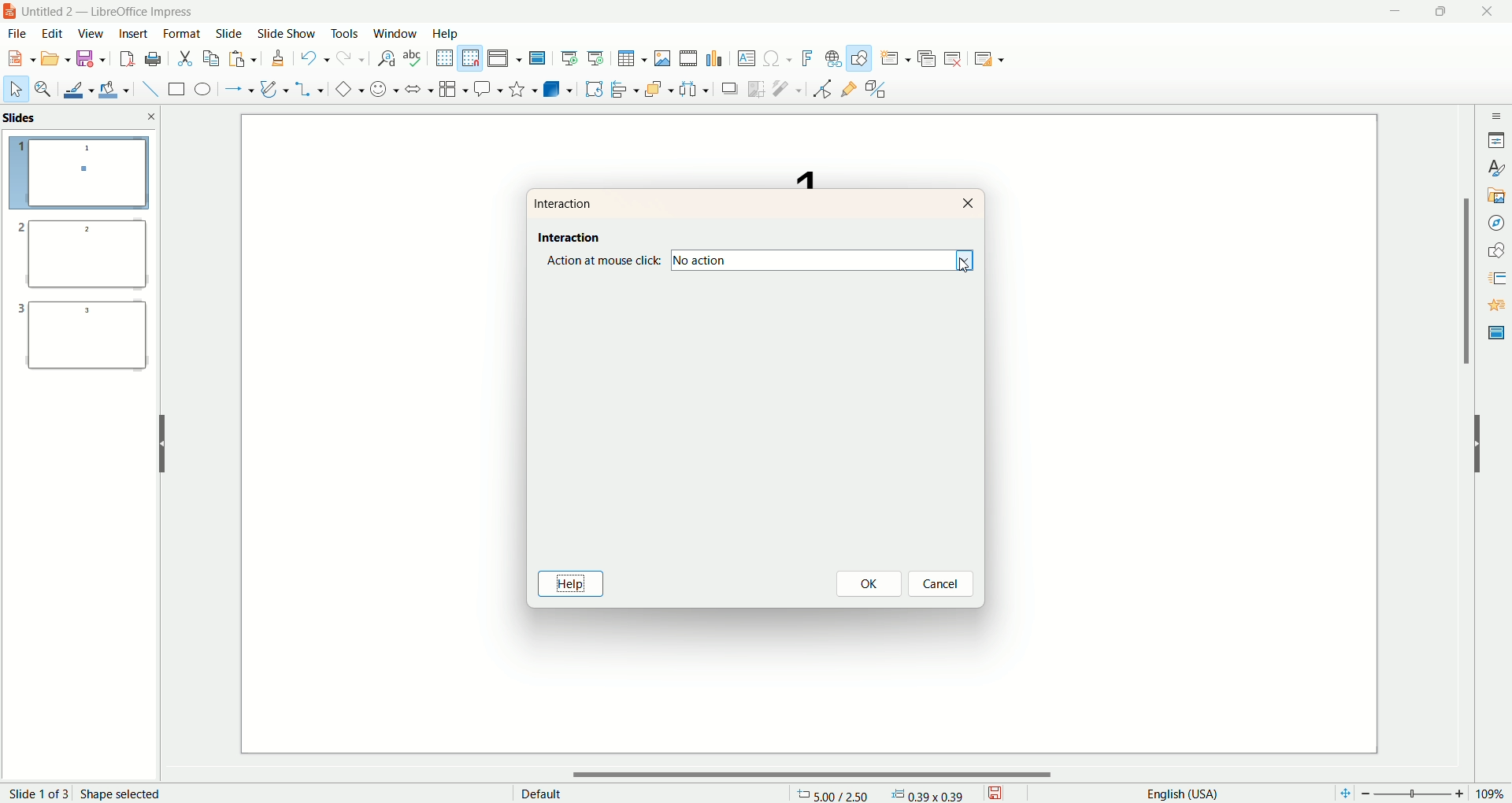 This screenshot has height=803, width=1512. I want to click on line color, so click(75, 89).